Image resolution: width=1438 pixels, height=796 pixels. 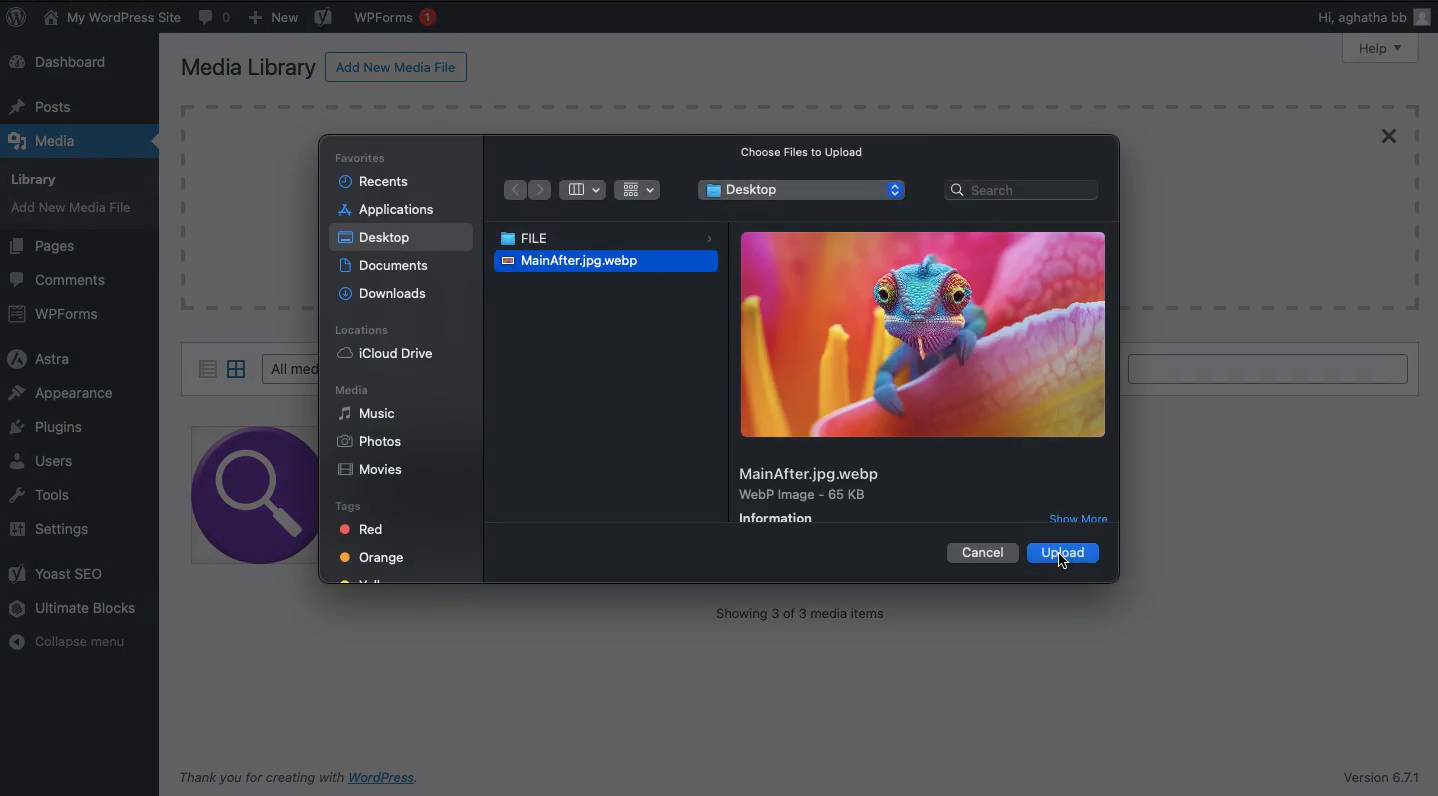 I want to click on Documents, so click(x=382, y=265).